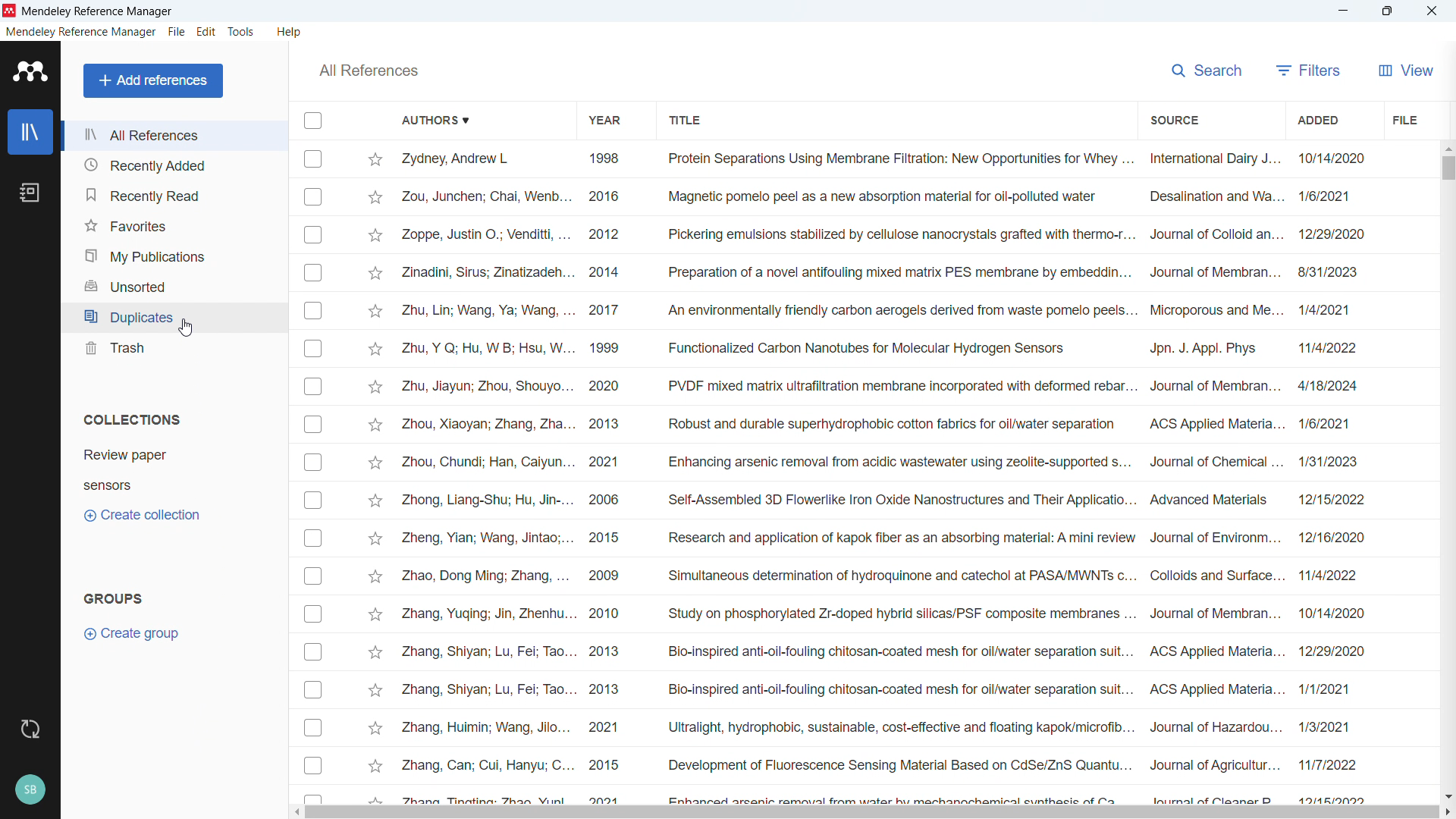  What do you see at coordinates (172, 284) in the screenshot?
I see `Unsorted ` at bounding box center [172, 284].